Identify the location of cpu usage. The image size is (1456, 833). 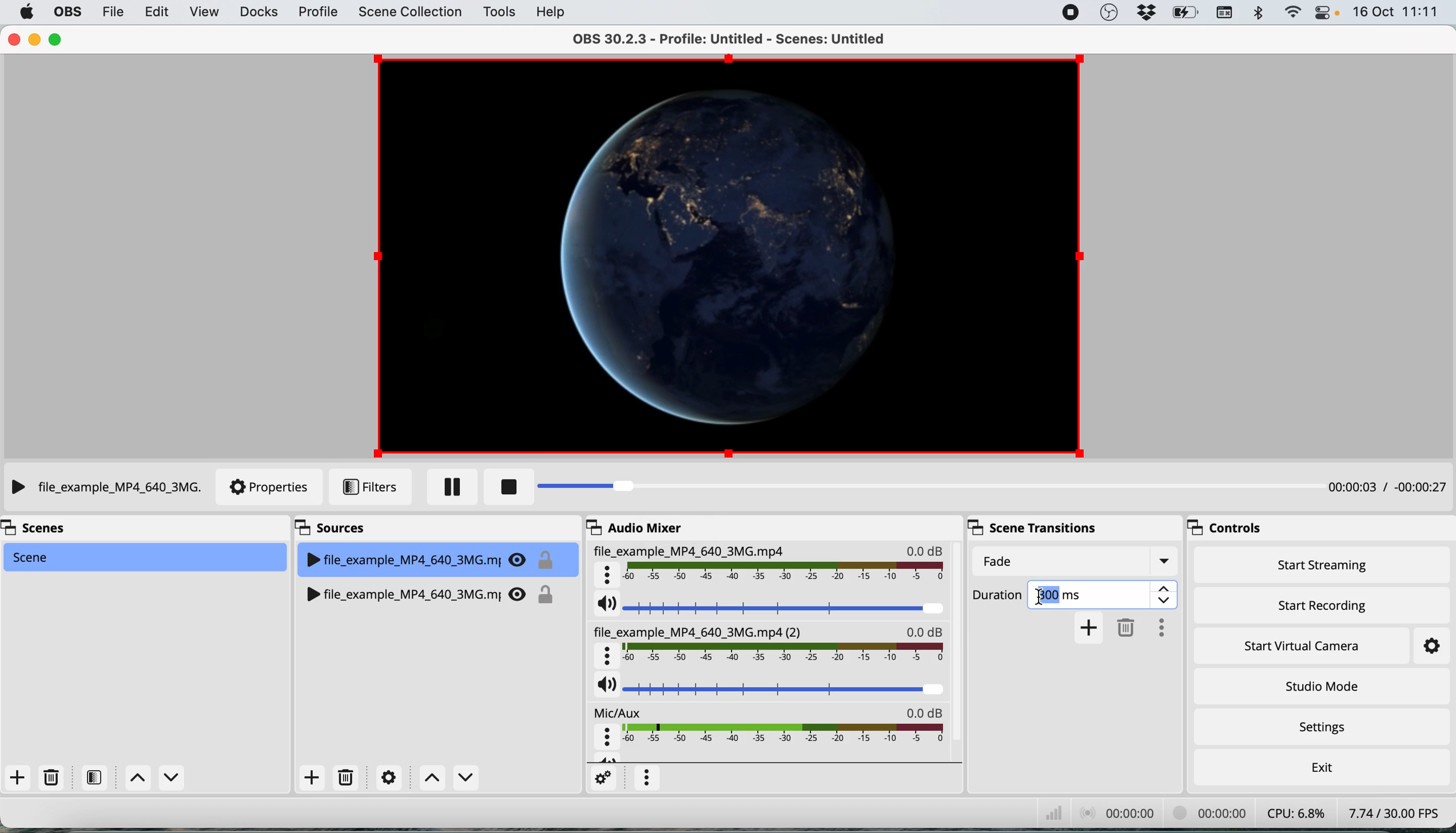
(1291, 814).